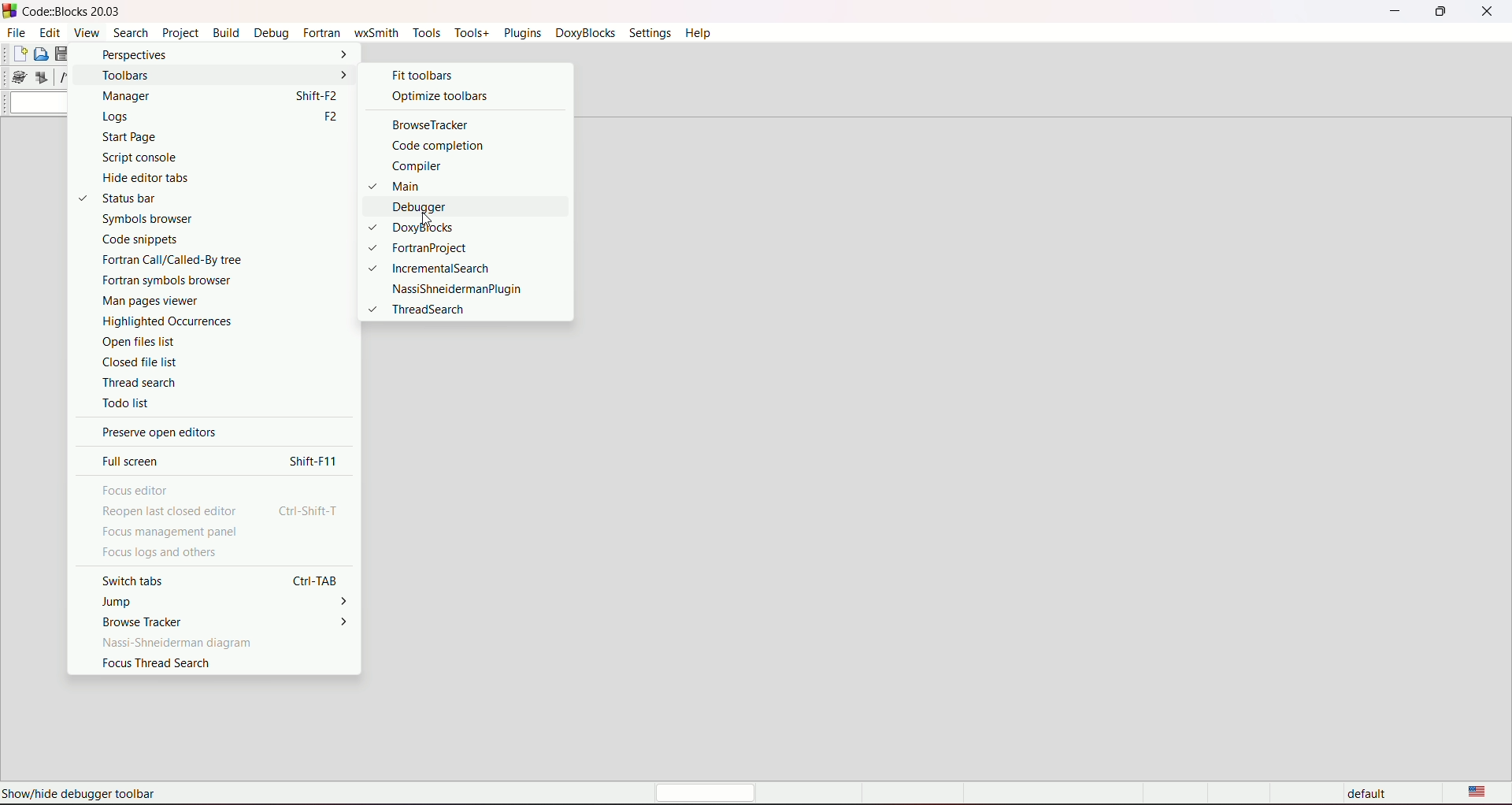  What do you see at coordinates (1439, 12) in the screenshot?
I see `minimize/maximize` at bounding box center [1439, 12].